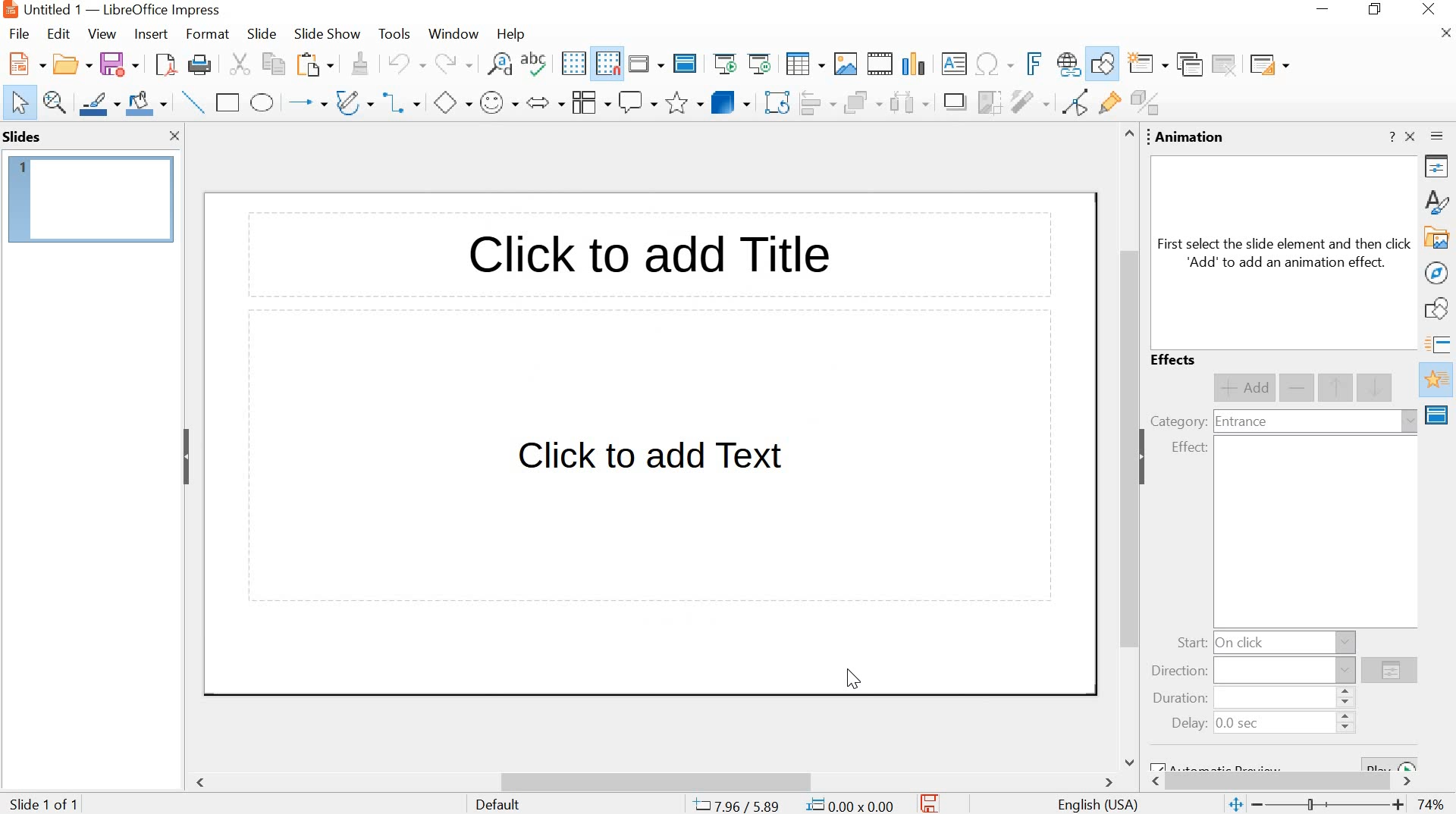 This screenshot has width=1456, height=814. I want to click on adjustment bar, so click(1331, 806).